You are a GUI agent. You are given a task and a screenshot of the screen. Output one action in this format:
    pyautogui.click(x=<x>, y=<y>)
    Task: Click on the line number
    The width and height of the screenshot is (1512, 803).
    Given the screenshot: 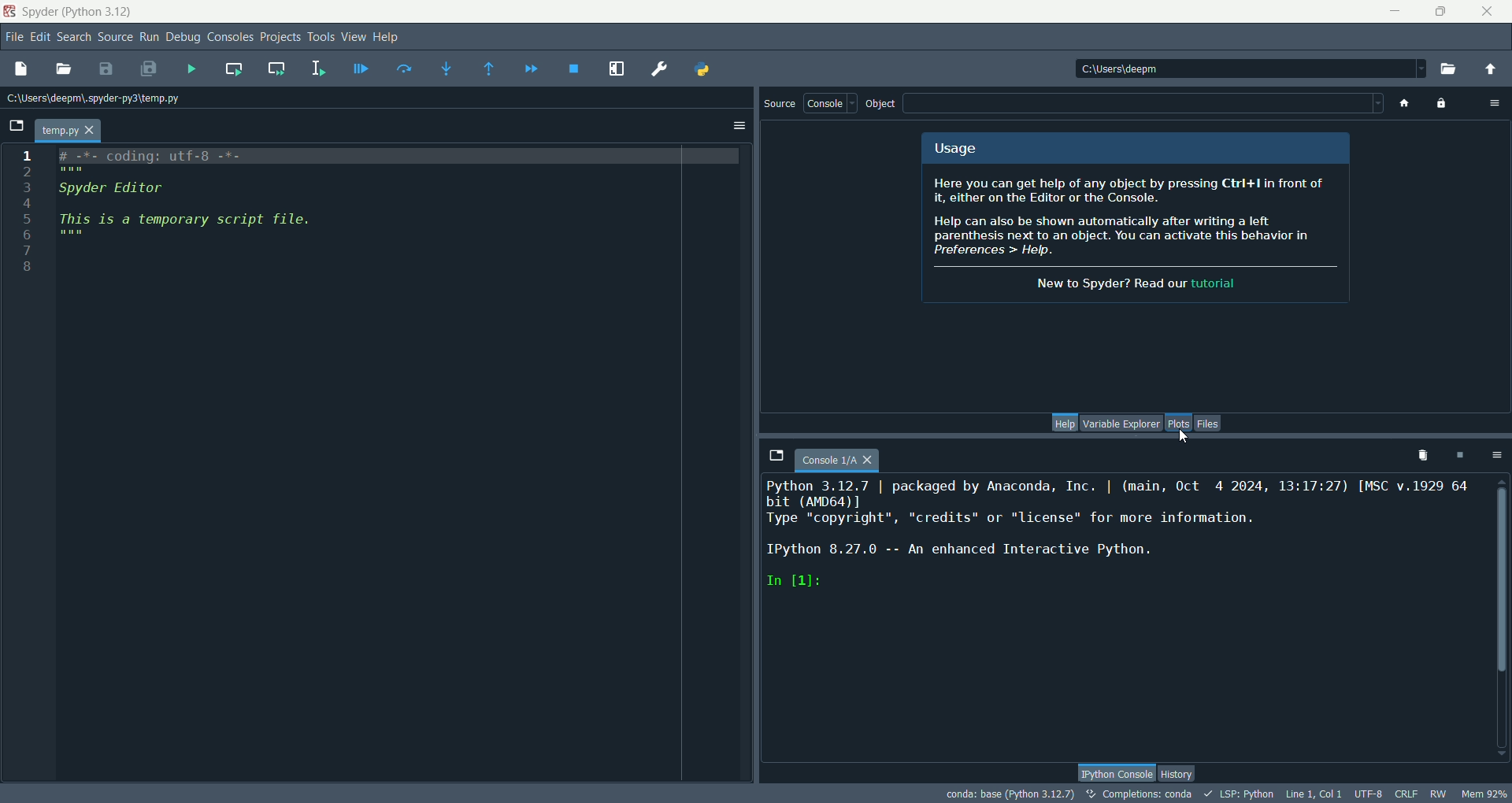 What is the action you would take?
    pyautogui.click(x=24, y=209)
    